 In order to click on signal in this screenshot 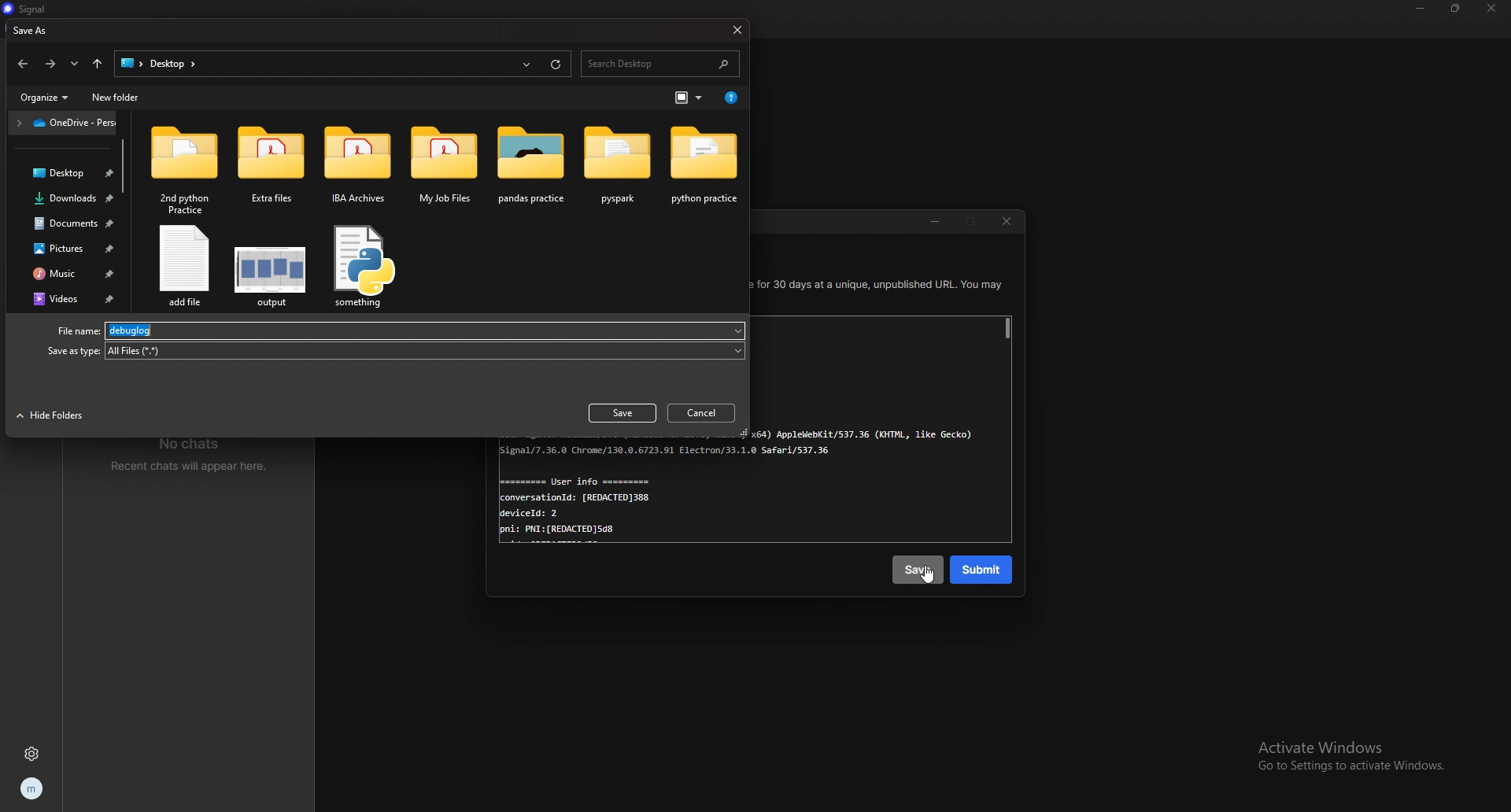, I will do `click(38, 9)`.